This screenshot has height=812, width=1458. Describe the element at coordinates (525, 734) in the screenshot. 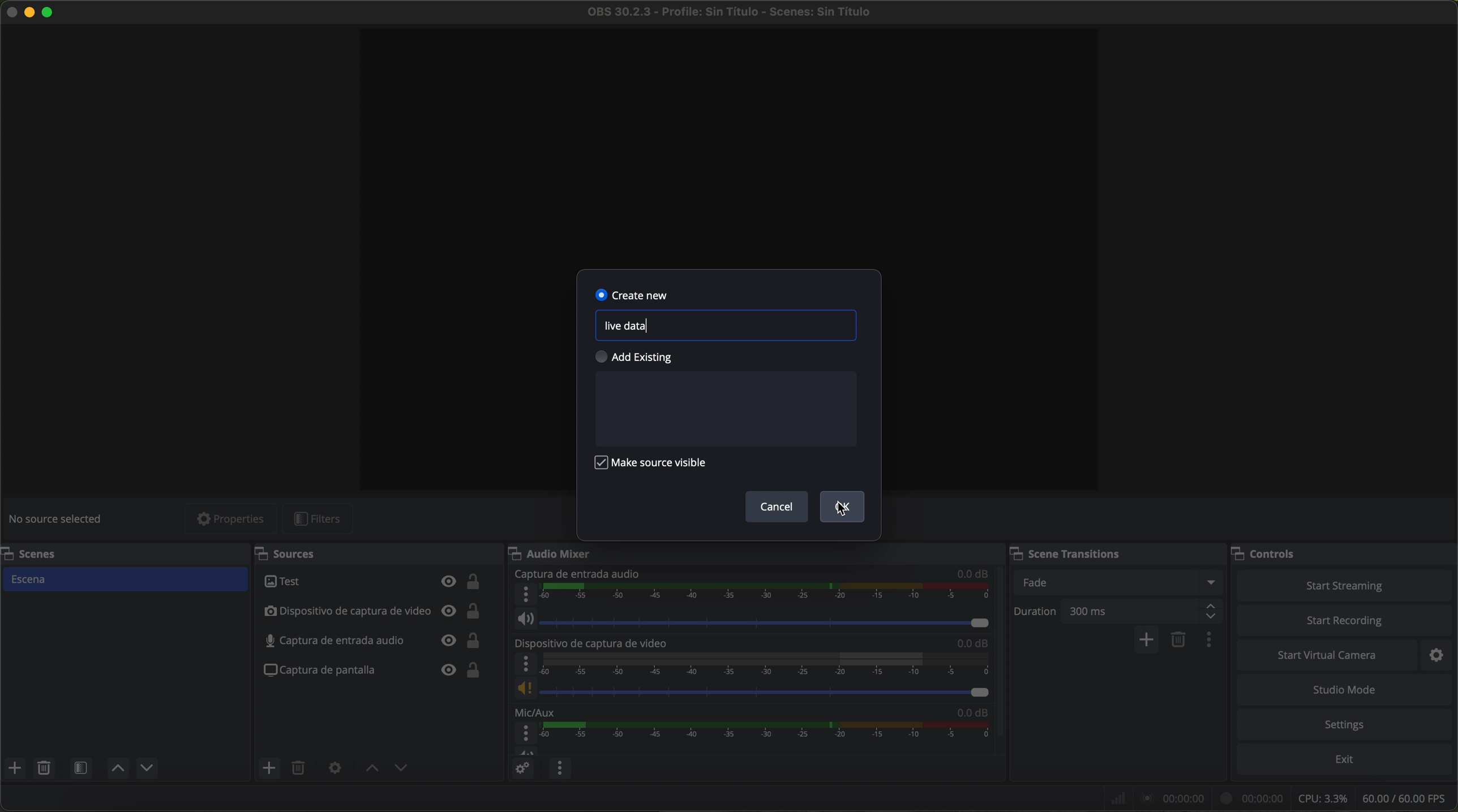

I see `more options` at that location.